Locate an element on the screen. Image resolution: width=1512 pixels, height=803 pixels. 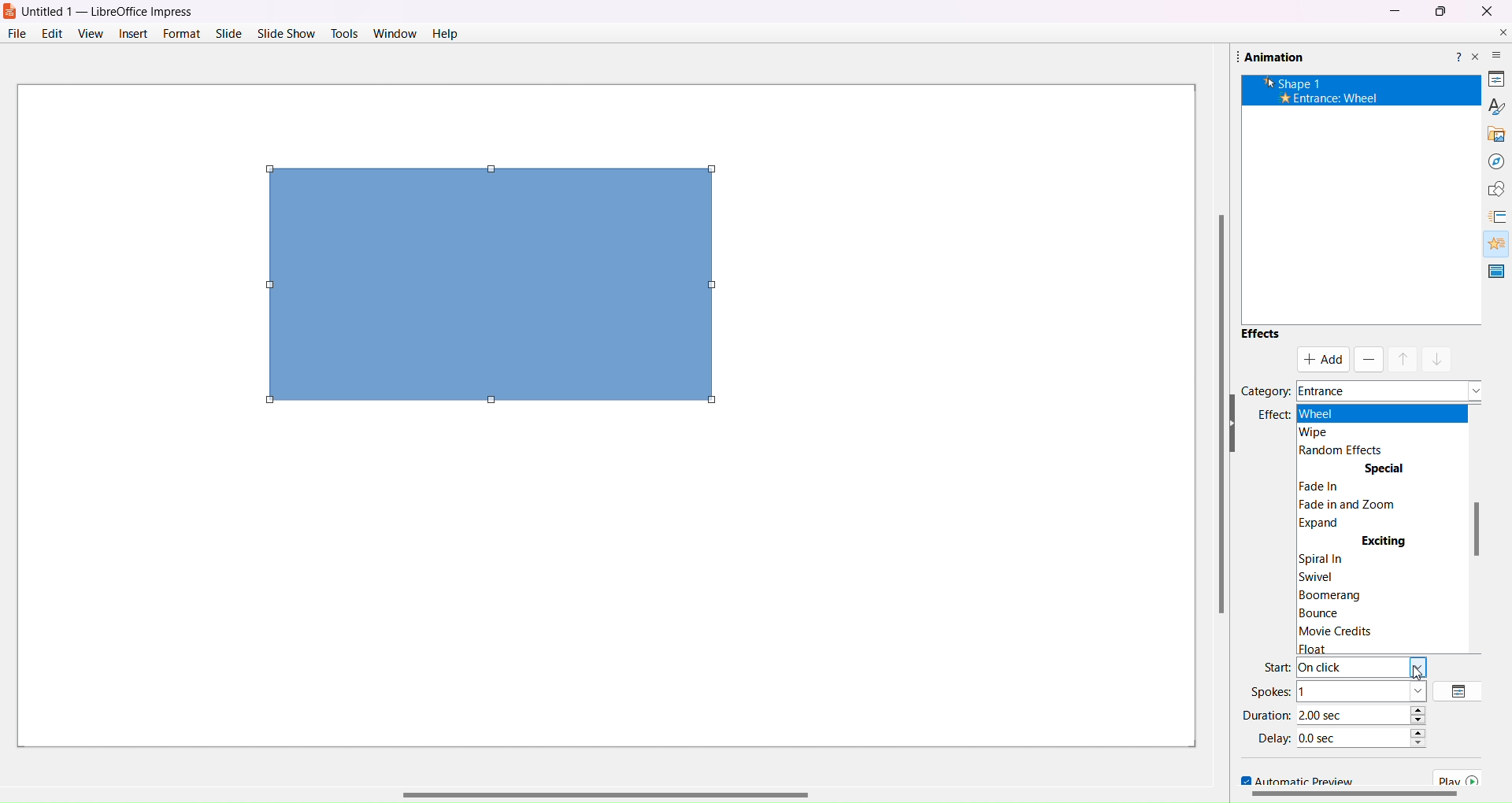
Animations is located at coordinates (1491, 241).